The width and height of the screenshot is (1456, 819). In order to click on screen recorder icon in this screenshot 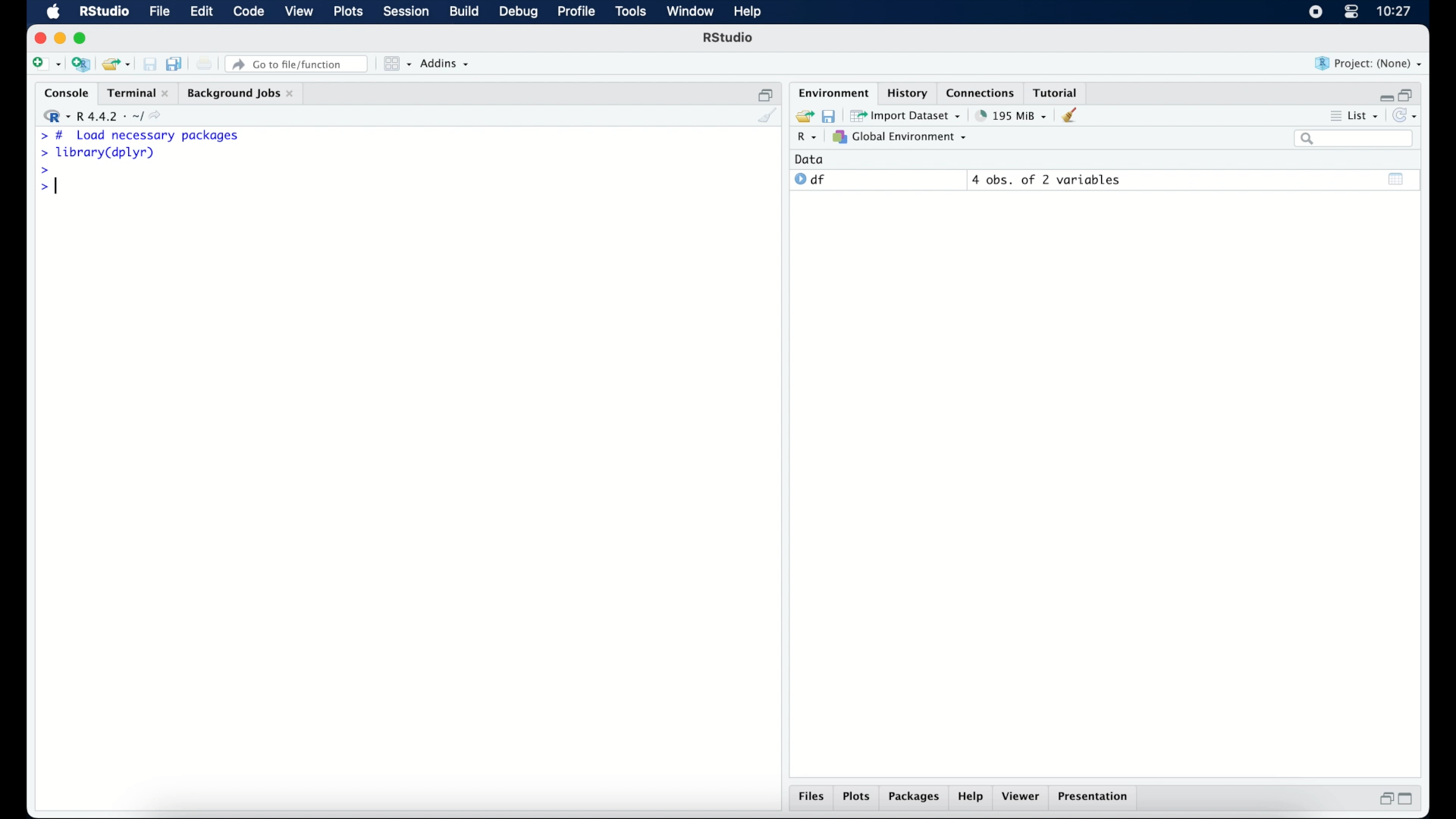, I will do `click(1314, 12)`.